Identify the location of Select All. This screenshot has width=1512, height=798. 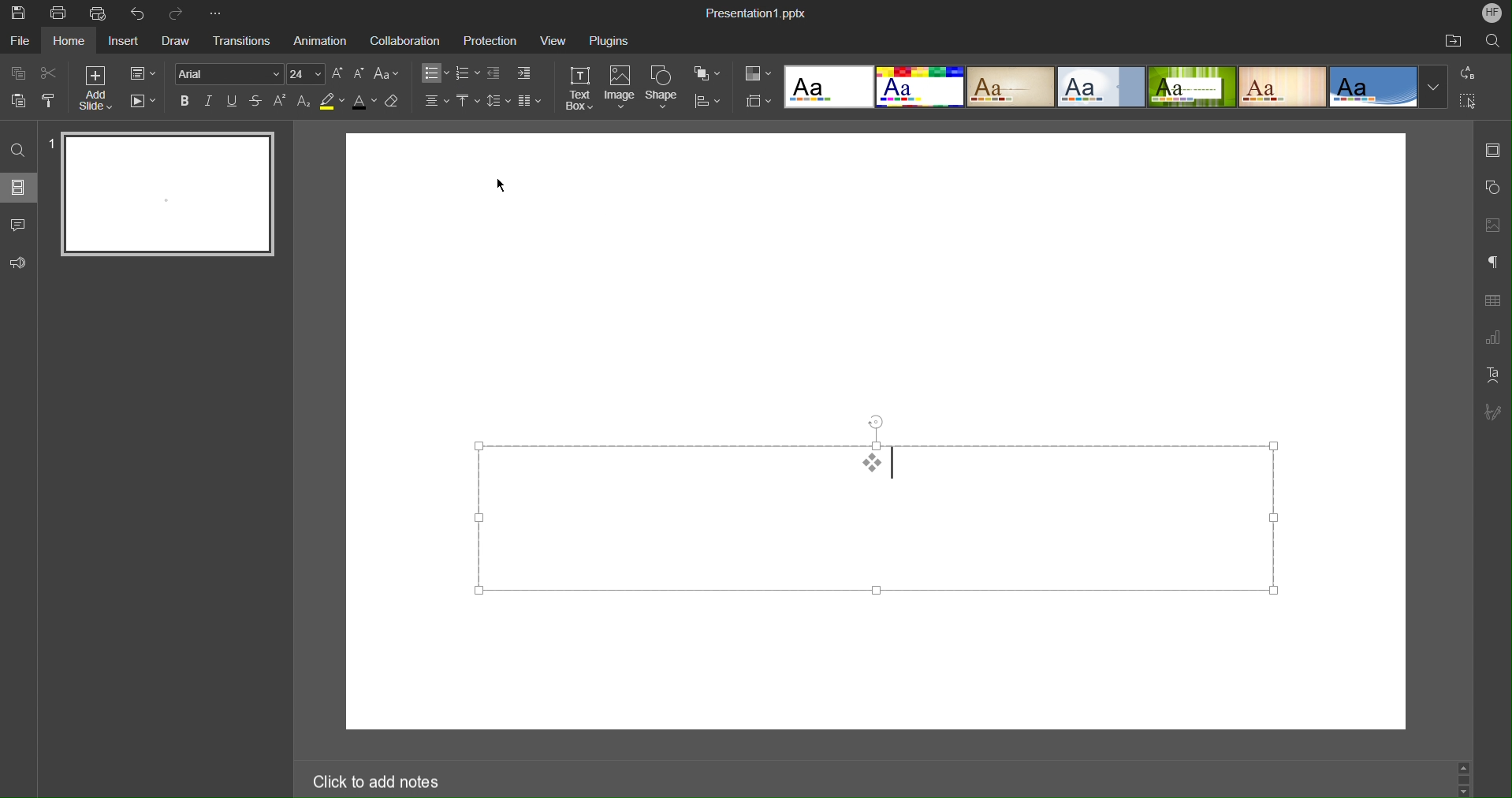
(1470, 100).